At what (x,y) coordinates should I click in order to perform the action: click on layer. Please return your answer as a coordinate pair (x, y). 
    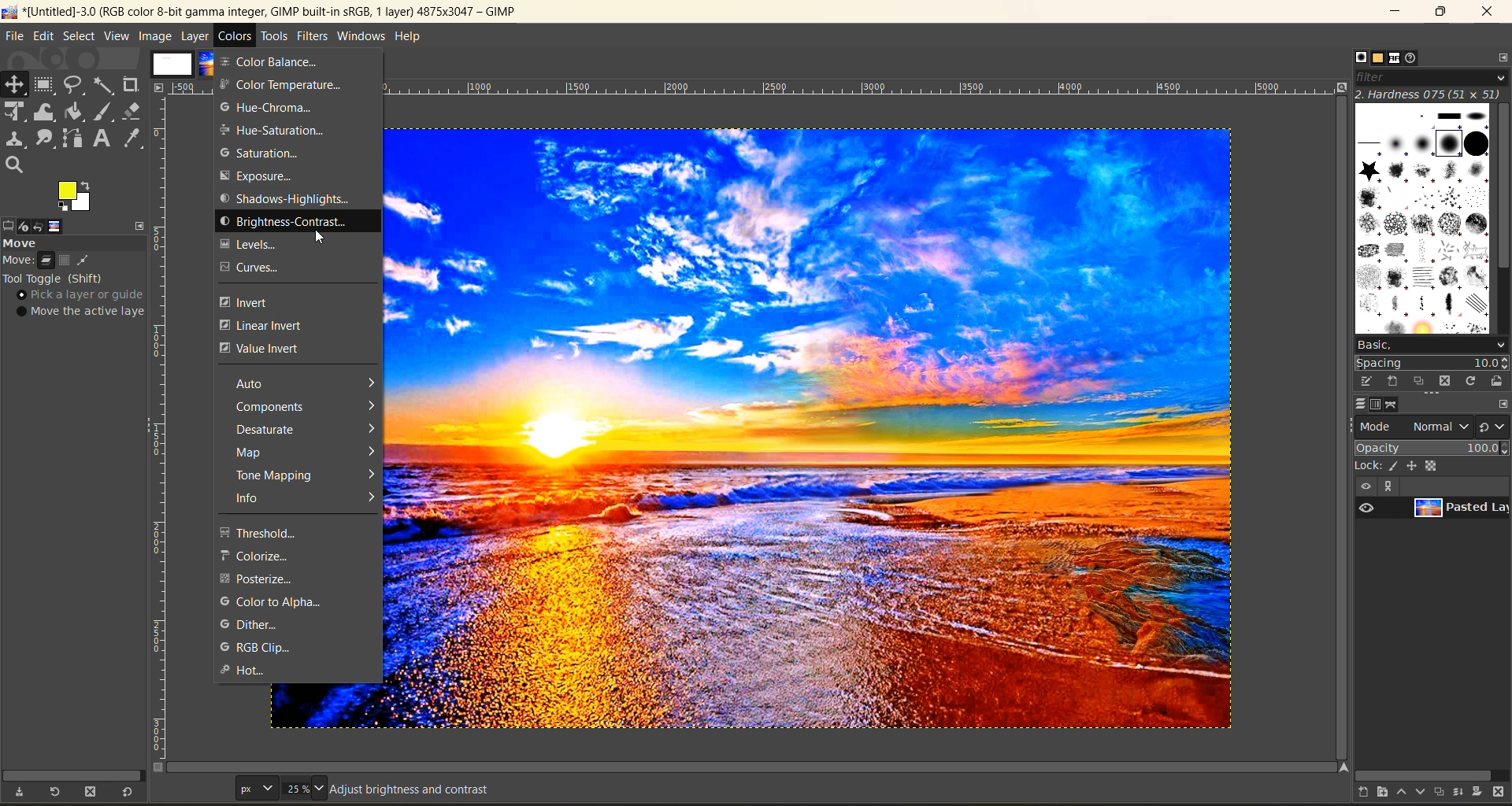
    Looking at the image, I should click on (197, 35).